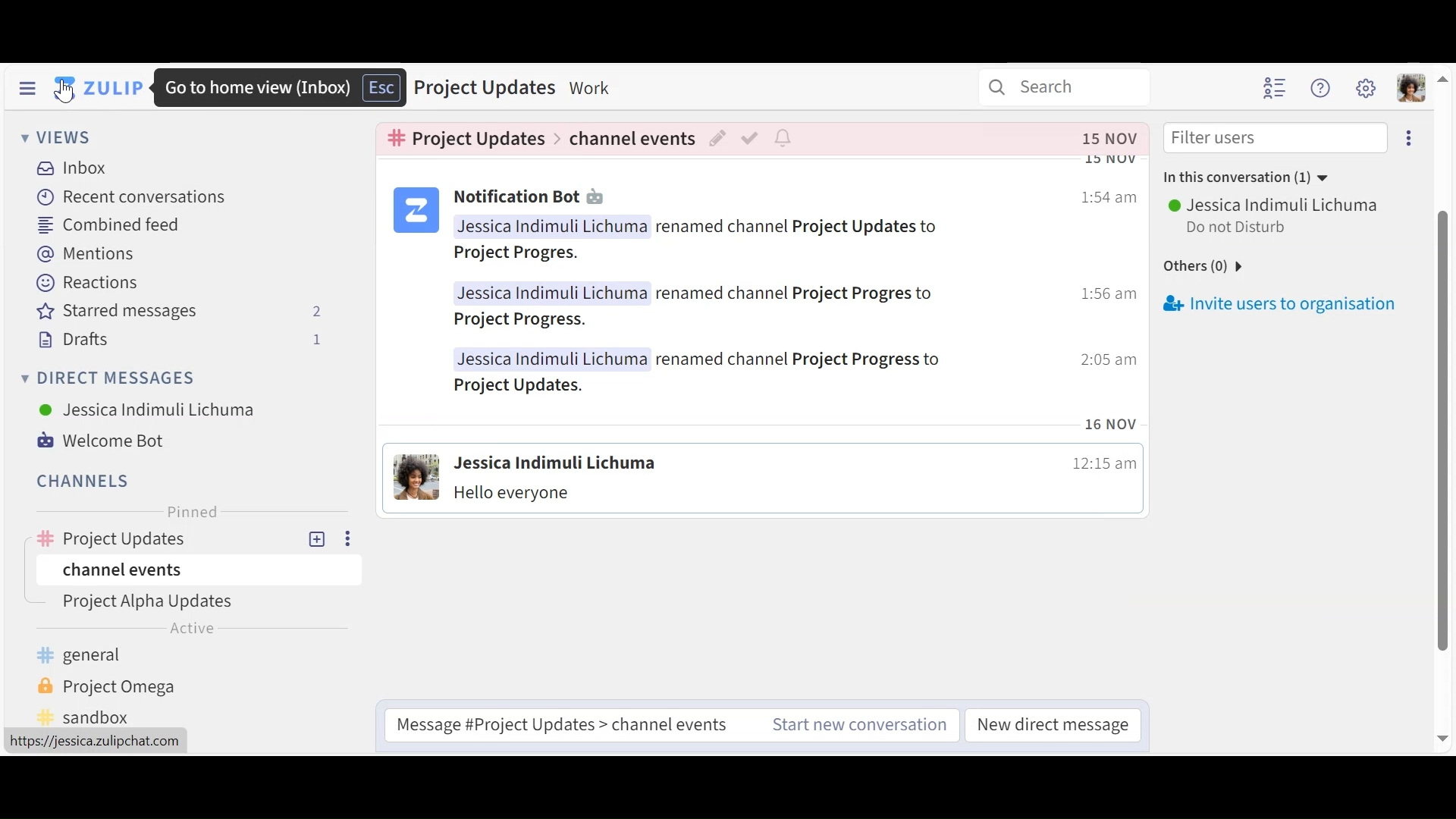 The image size is (1456, 819). What do you see at coordinates (1244, 177) in the screenshot?
I see `In the conversation (1)` at bounding box center [1244, 177].